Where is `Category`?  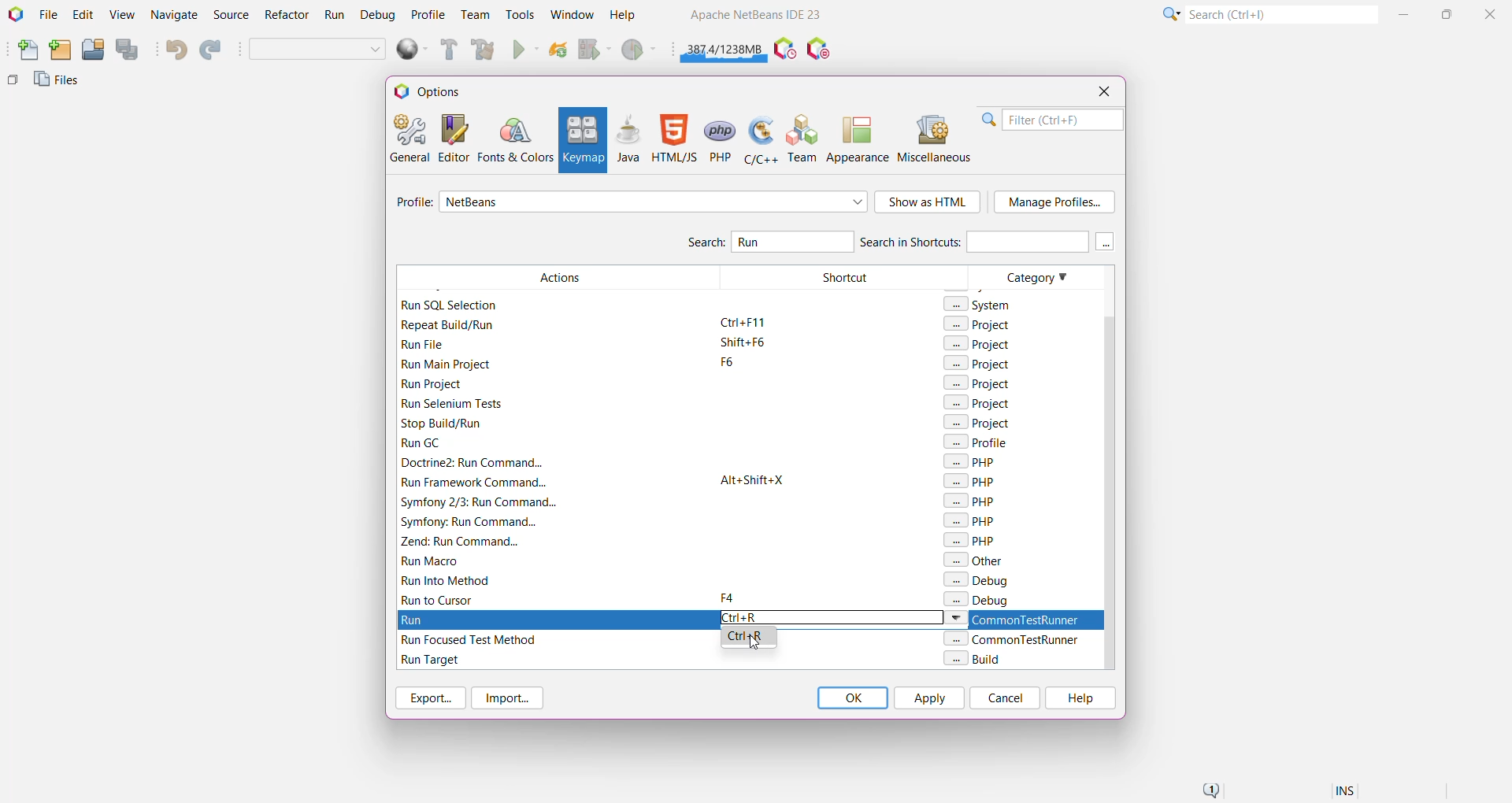
Category is located at coordinates (1032, 436).